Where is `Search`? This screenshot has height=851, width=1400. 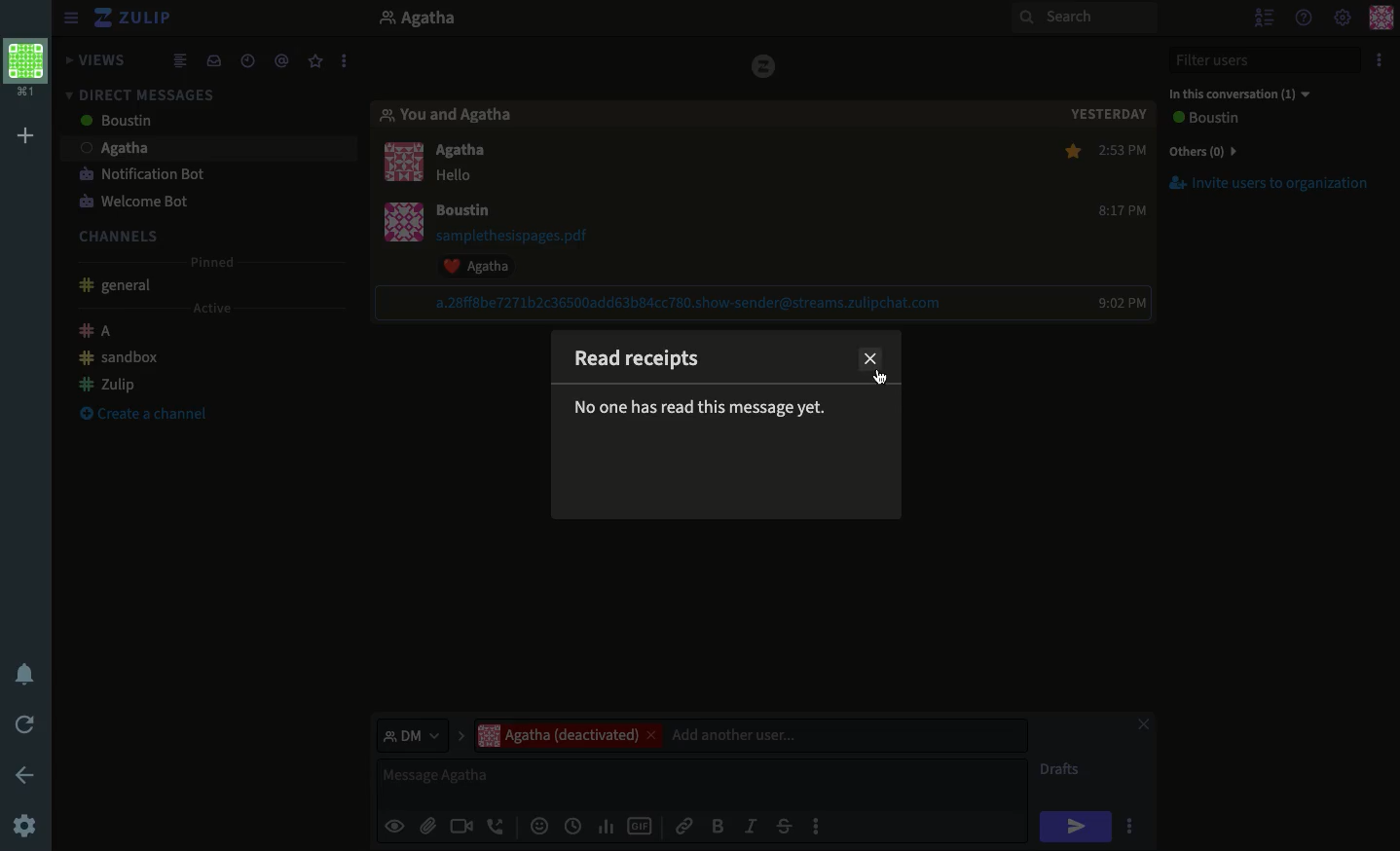
Search is located at coordinates (1085, 18).